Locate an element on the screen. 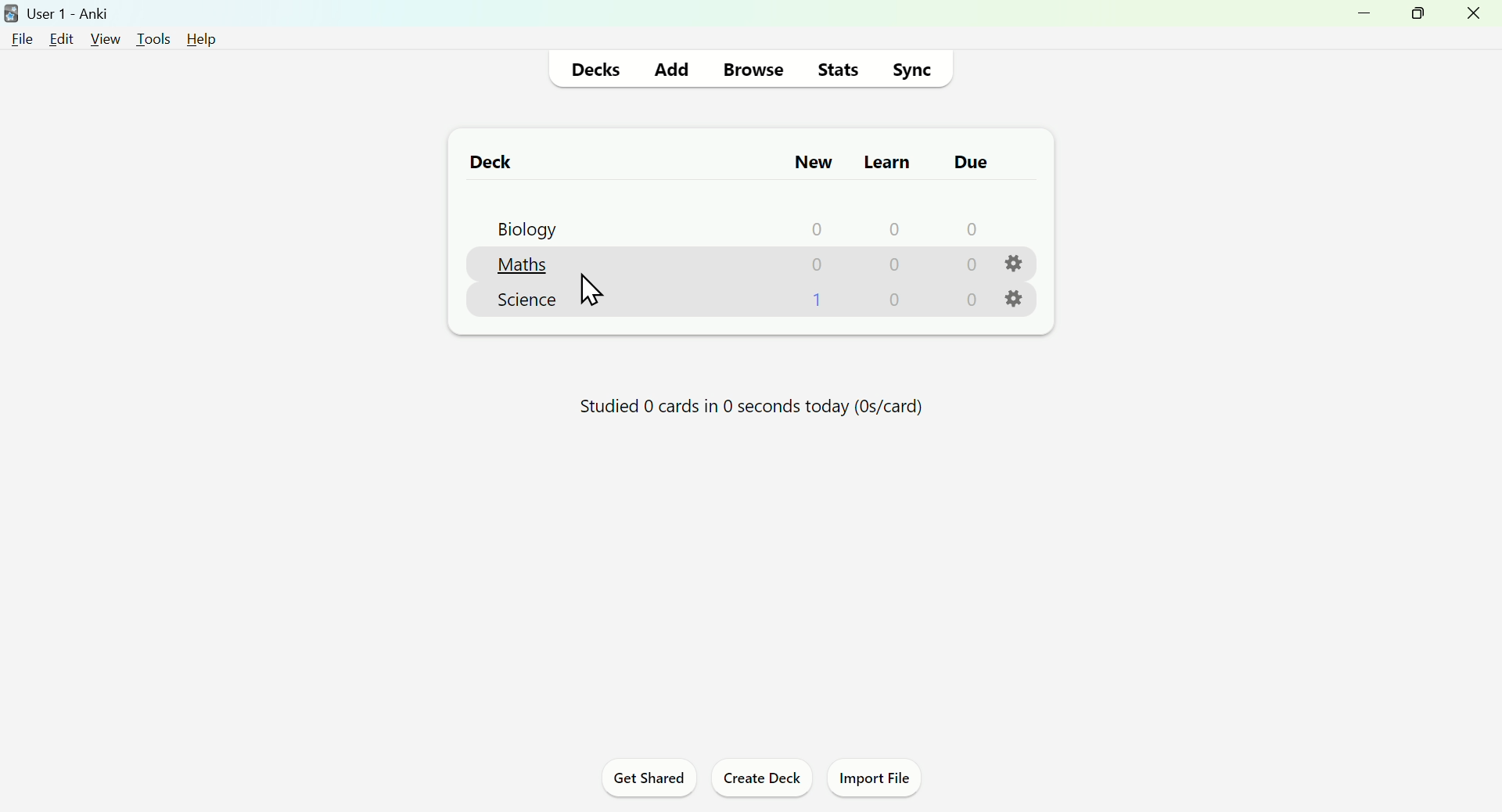 The height and width of the screenshot is (812, 1502). Science is located at coordinates (527, 300).